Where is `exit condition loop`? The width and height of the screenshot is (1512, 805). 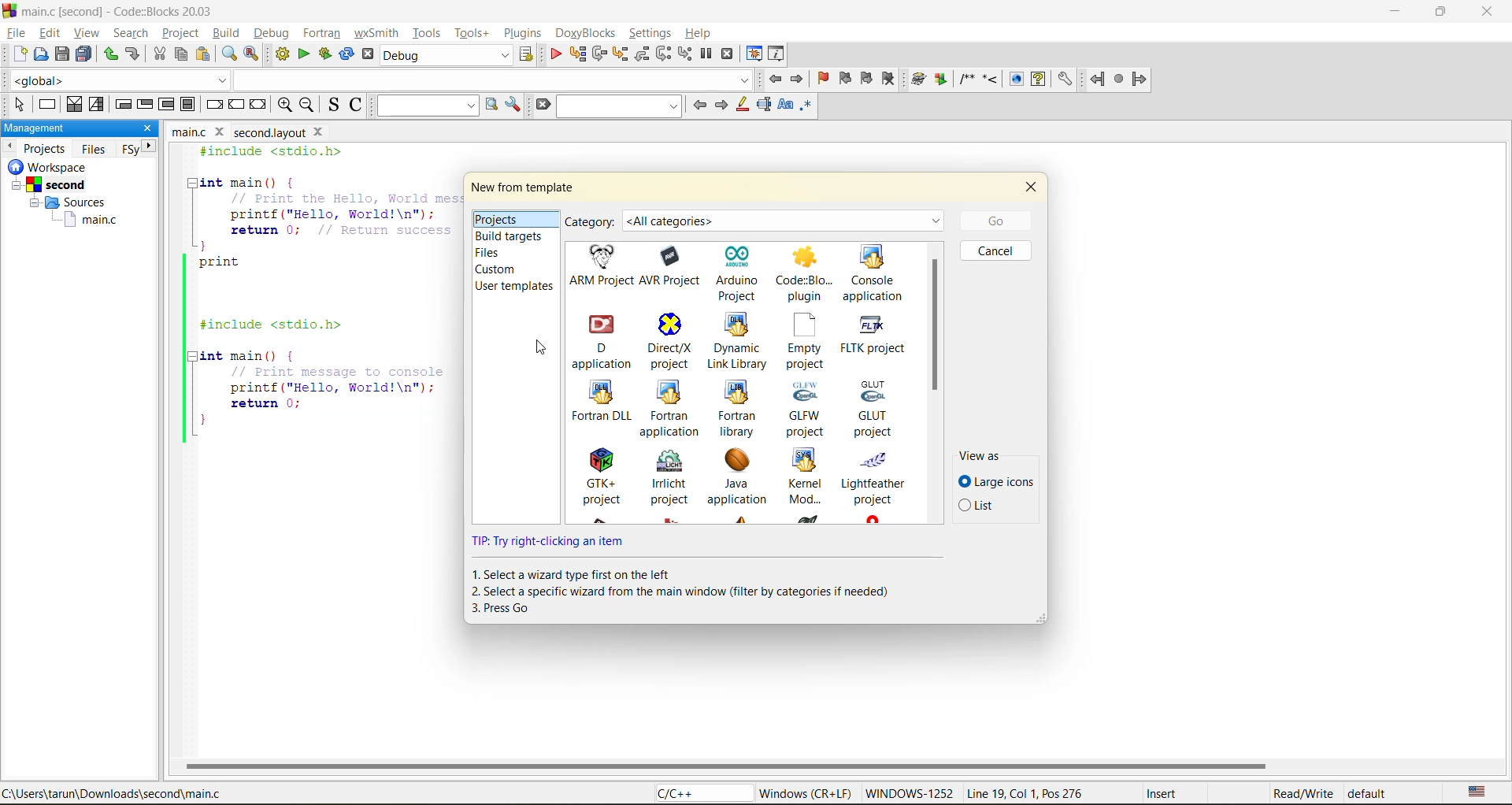
exit condition loop is located at coordinates (146, 106).